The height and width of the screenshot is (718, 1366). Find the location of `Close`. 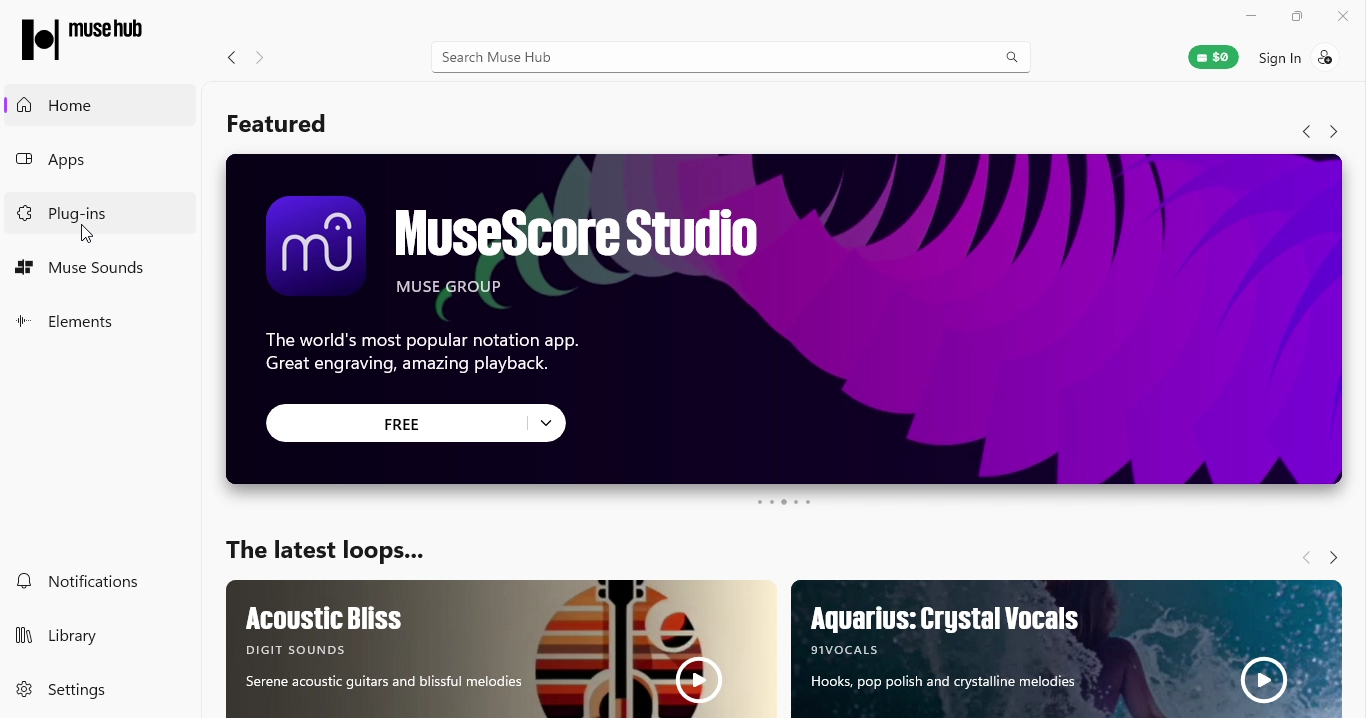

Close is located at coordinates (1343, 17).